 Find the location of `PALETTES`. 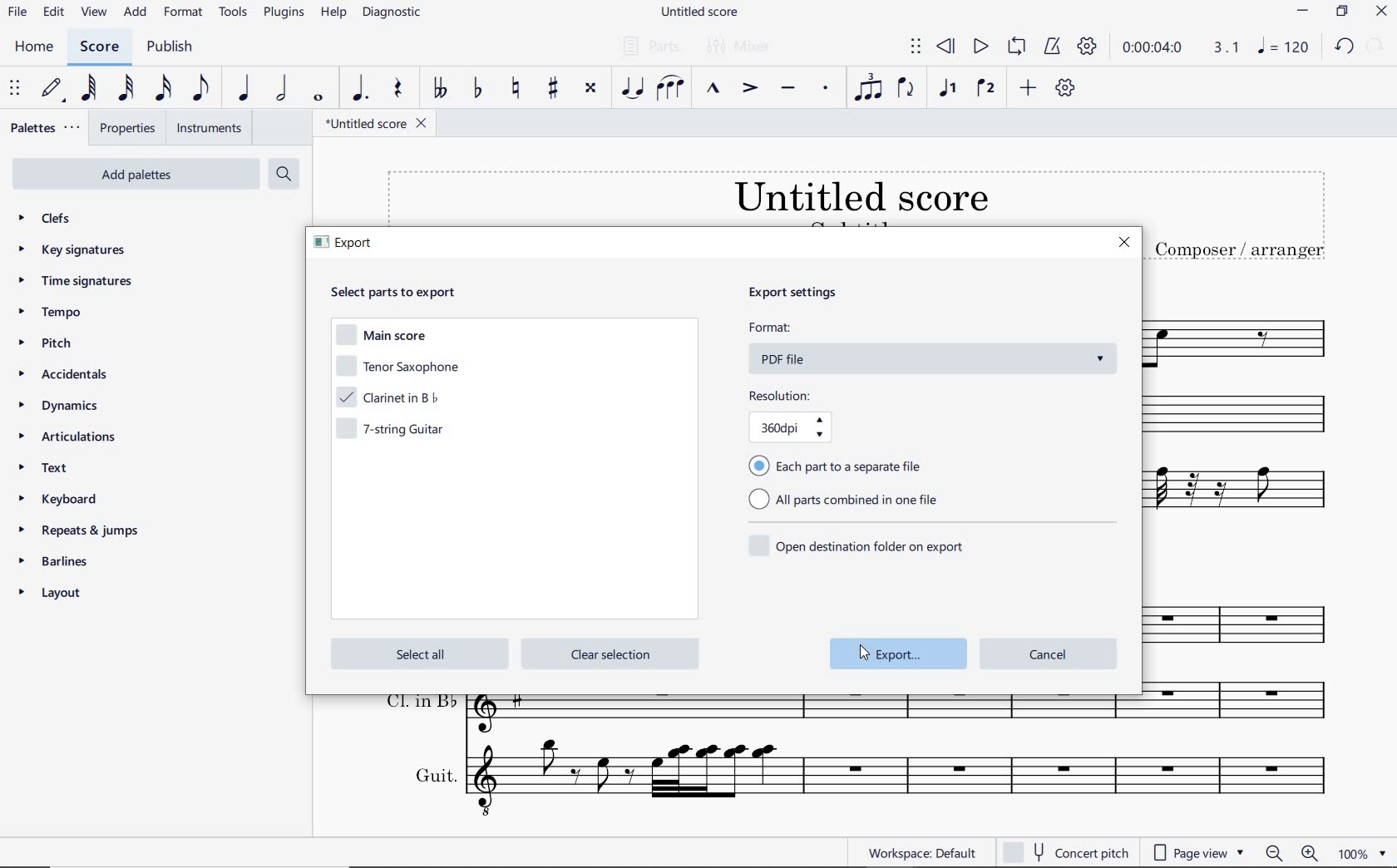

PALETTES is located at coordinates (46, 129).